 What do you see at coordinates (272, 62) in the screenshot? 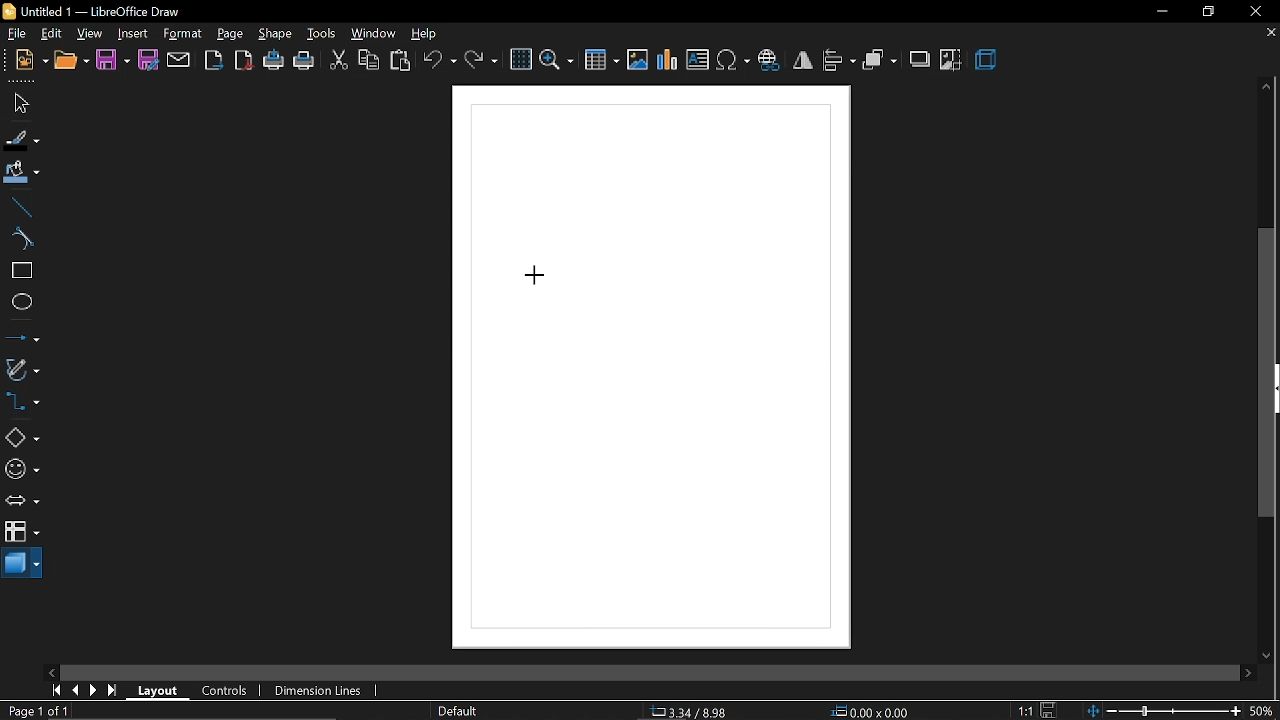
I see `print directly` at bounding box center [272, 62].